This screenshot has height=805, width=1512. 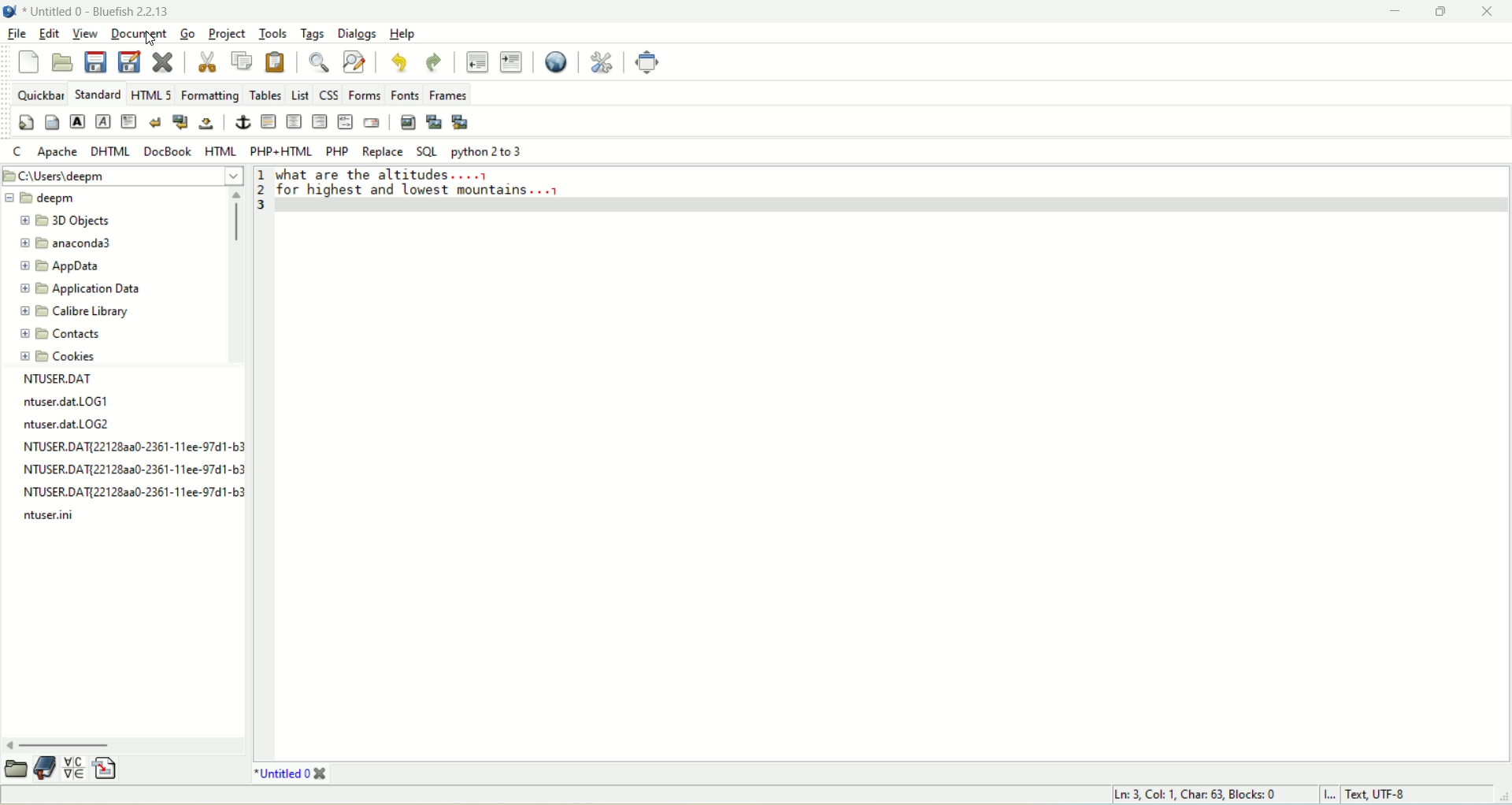 I want to click on location, so click(x=120, y=176).